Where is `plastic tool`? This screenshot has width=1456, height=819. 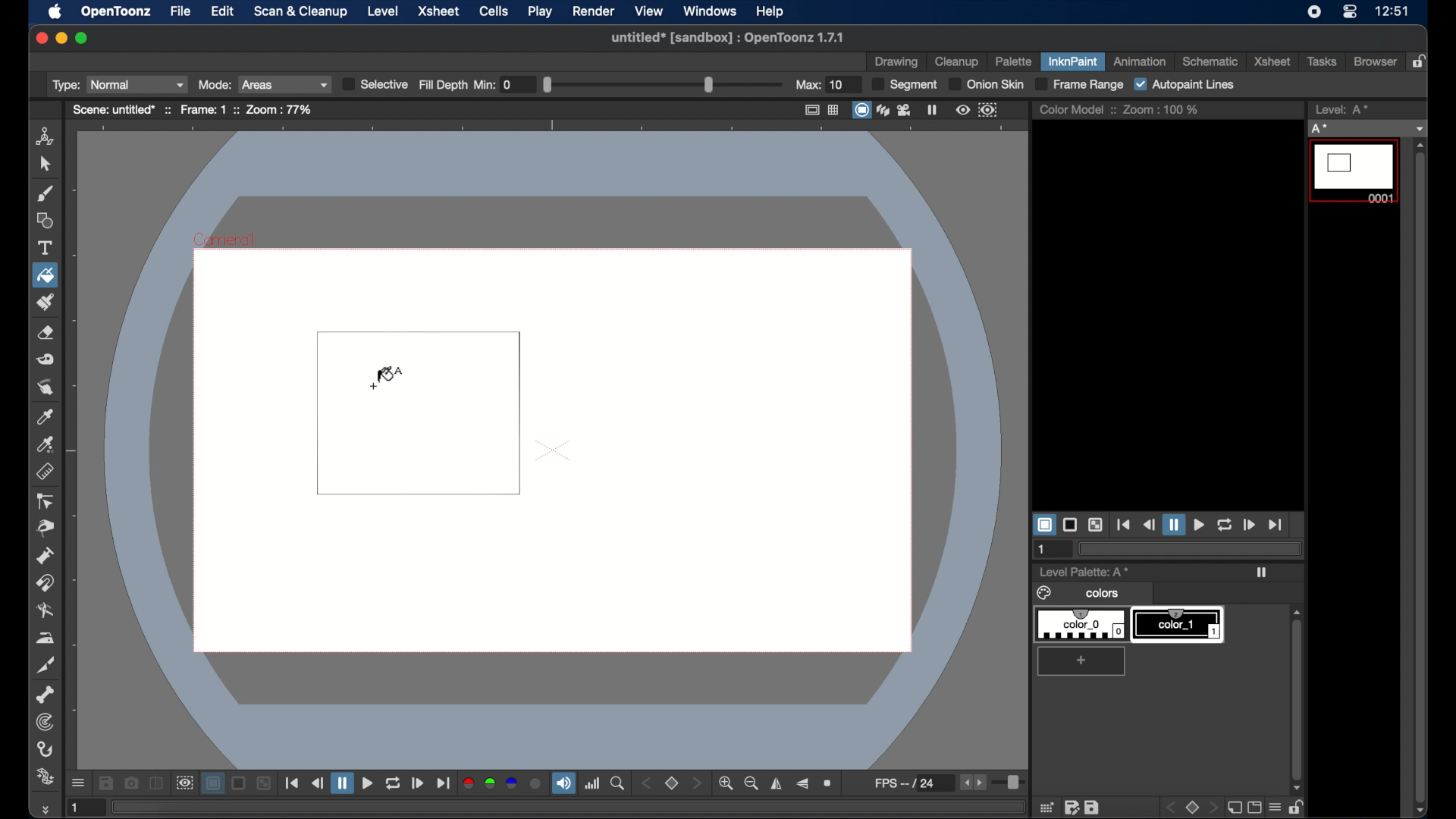 plastic tool is located at coordinates (45, 777).